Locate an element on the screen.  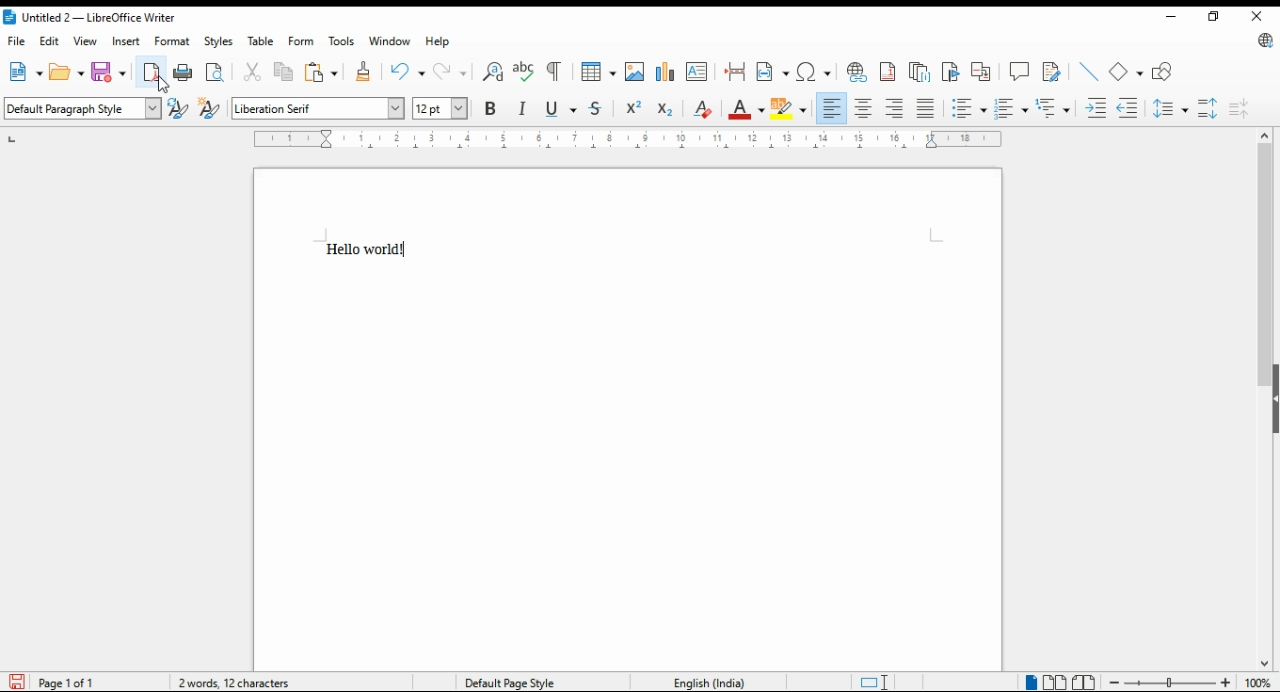
paste is located at coordinates (319, 72).